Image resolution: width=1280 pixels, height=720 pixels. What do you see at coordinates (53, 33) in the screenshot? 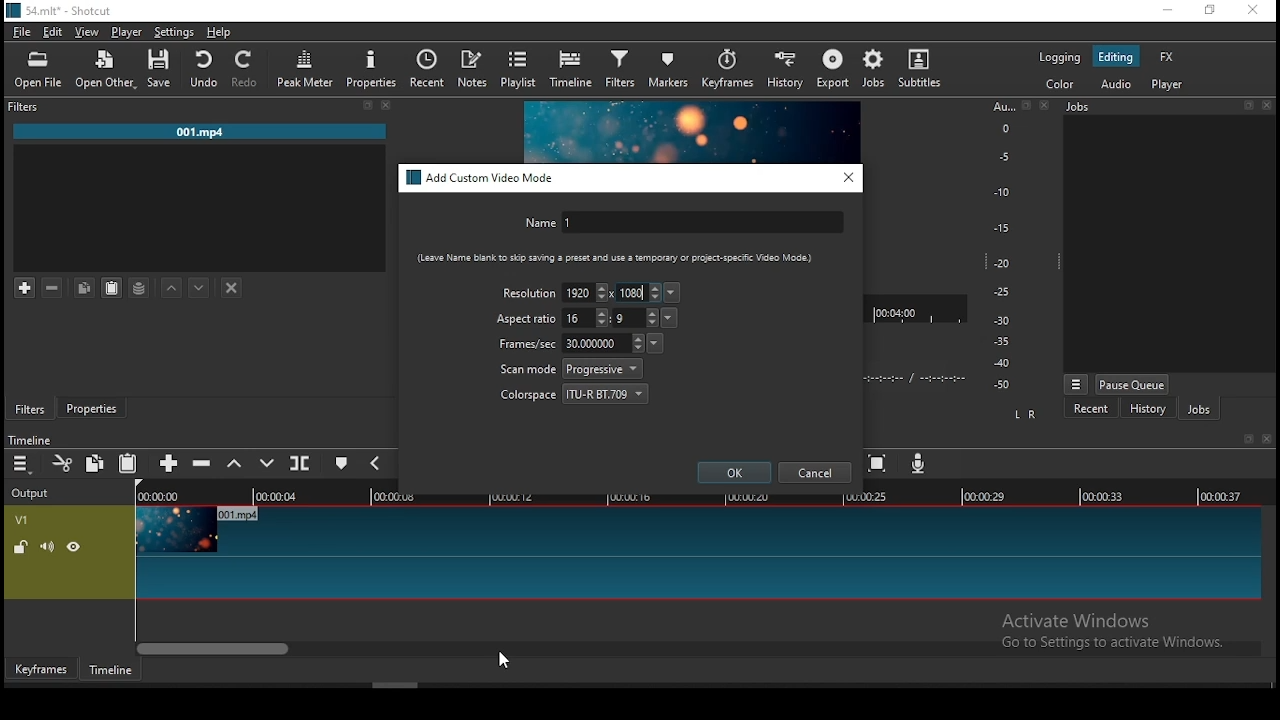
I see `edit` at bounding box center [53, 33].